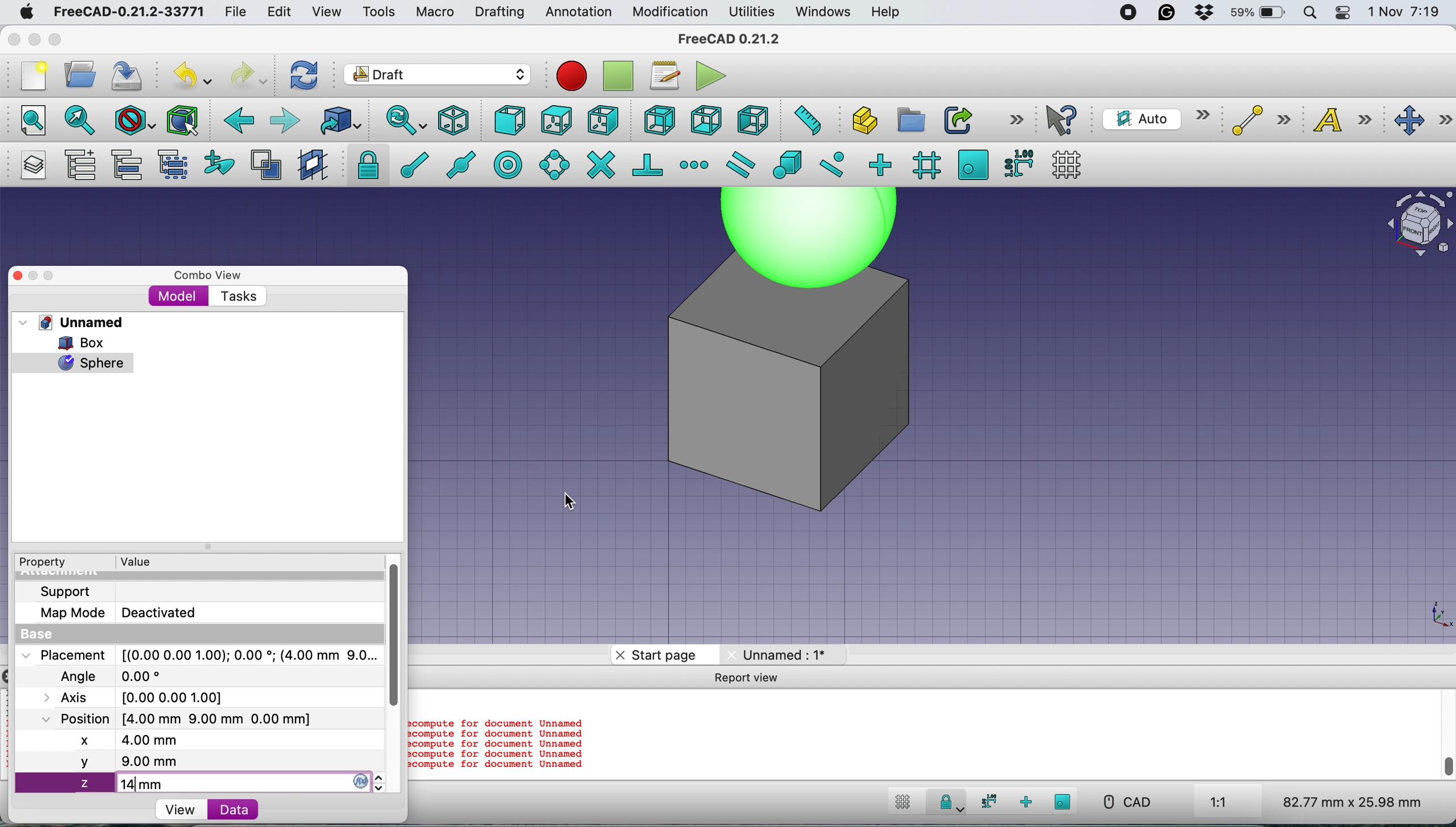  What do you see at coordinates (249, 74) in the screenshot?
I see `redo` at bounding box center [249, 74].